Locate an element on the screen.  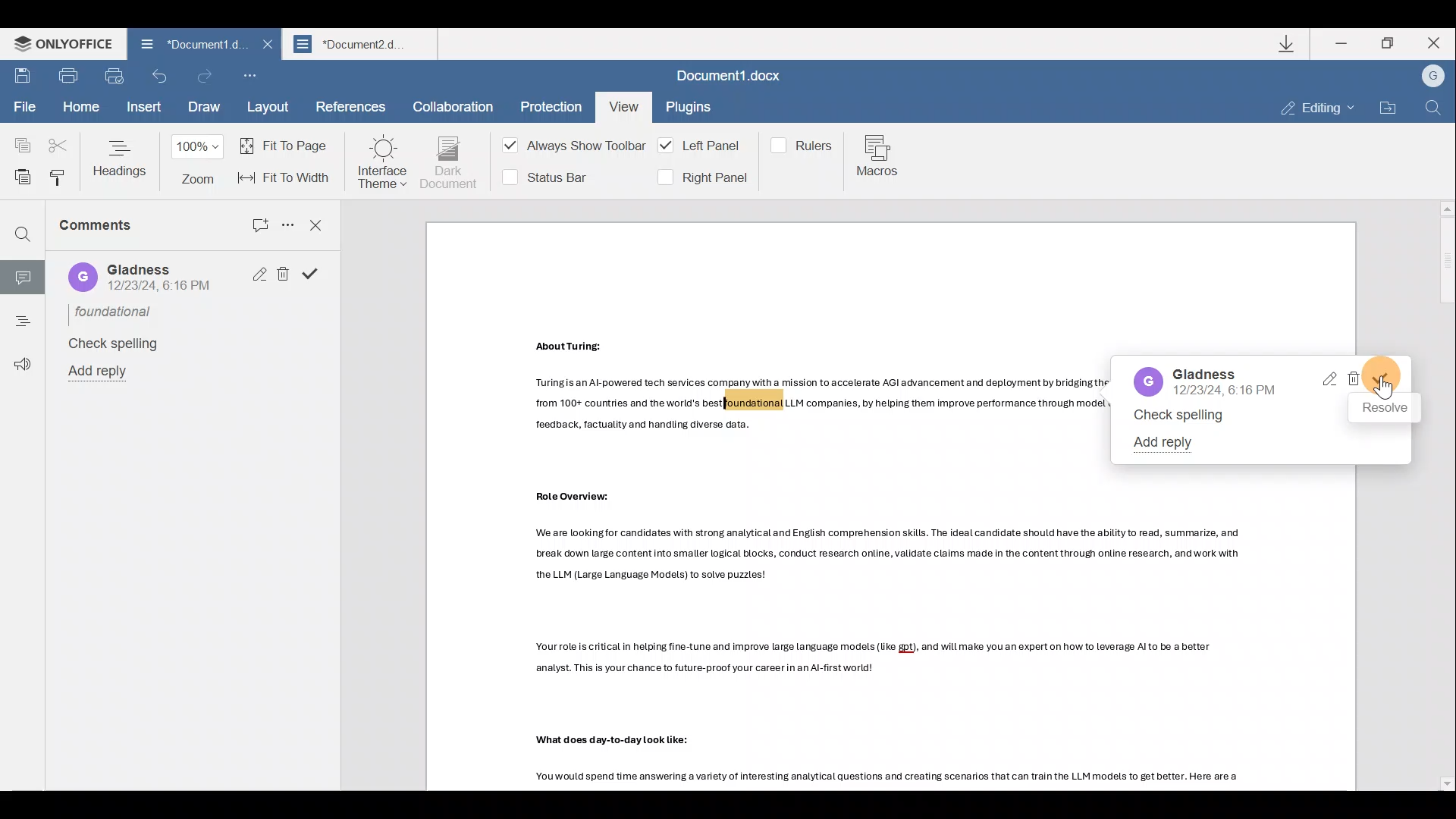
Copy is located at coordinates (17, 139).